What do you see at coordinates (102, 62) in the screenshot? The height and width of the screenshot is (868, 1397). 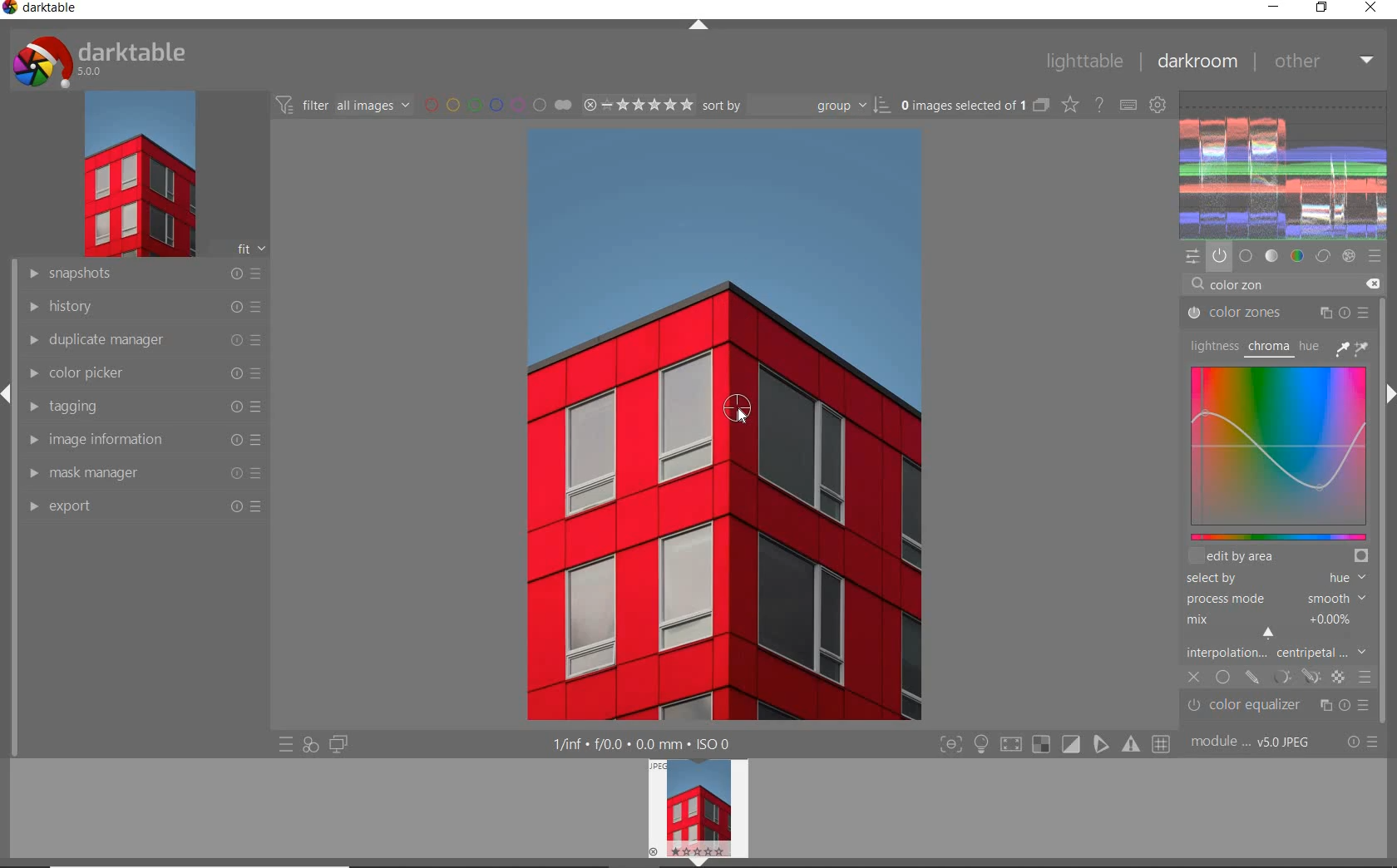 I see `system logo & name` at bounding box center [102, 62].